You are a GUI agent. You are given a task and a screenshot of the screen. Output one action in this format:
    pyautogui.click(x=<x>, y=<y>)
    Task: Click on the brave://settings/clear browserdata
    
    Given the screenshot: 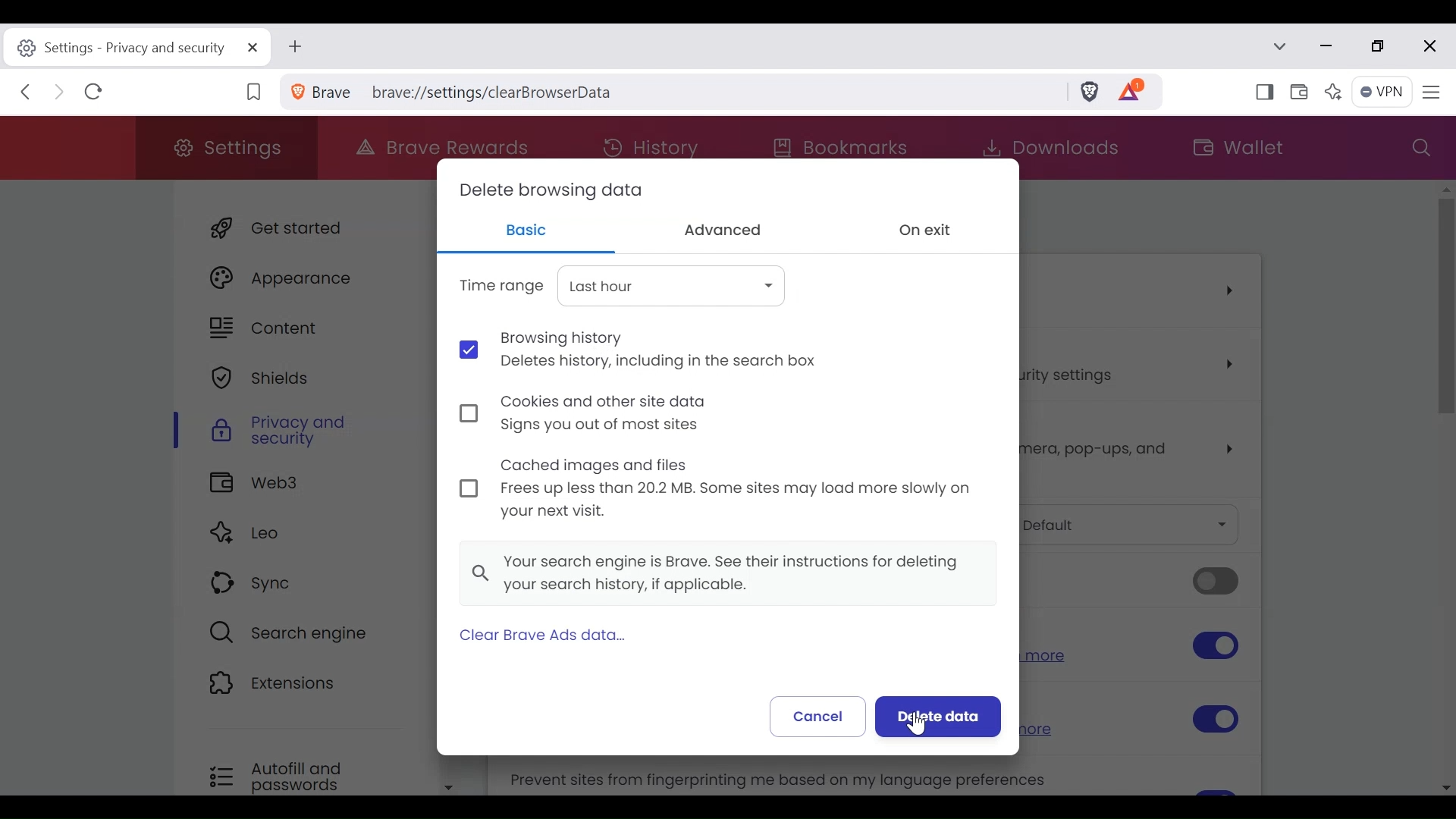 What is the action you would take?
    pyautogui.click(x=672, y=91)
    